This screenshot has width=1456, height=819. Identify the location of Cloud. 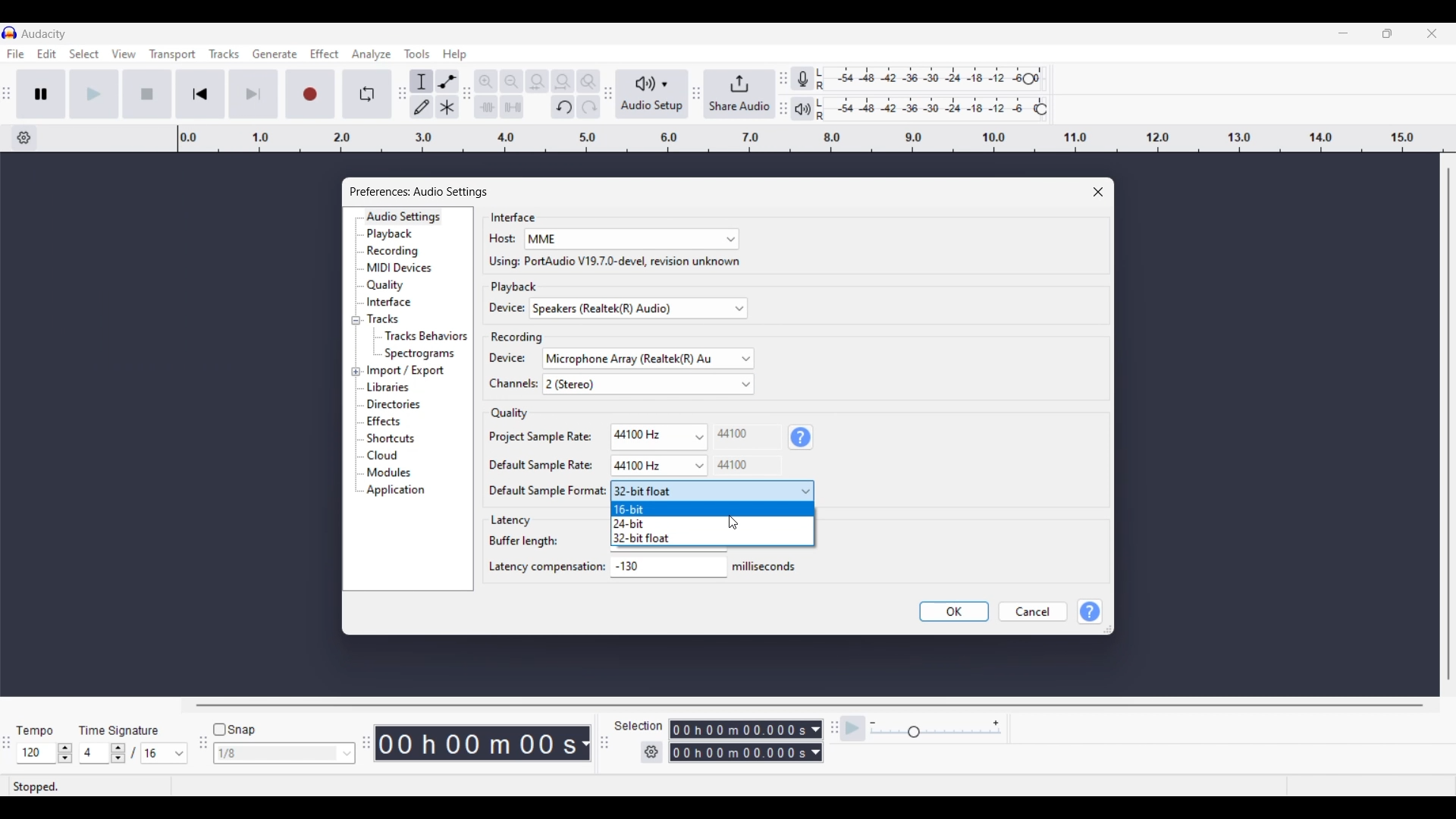
(402, 456).